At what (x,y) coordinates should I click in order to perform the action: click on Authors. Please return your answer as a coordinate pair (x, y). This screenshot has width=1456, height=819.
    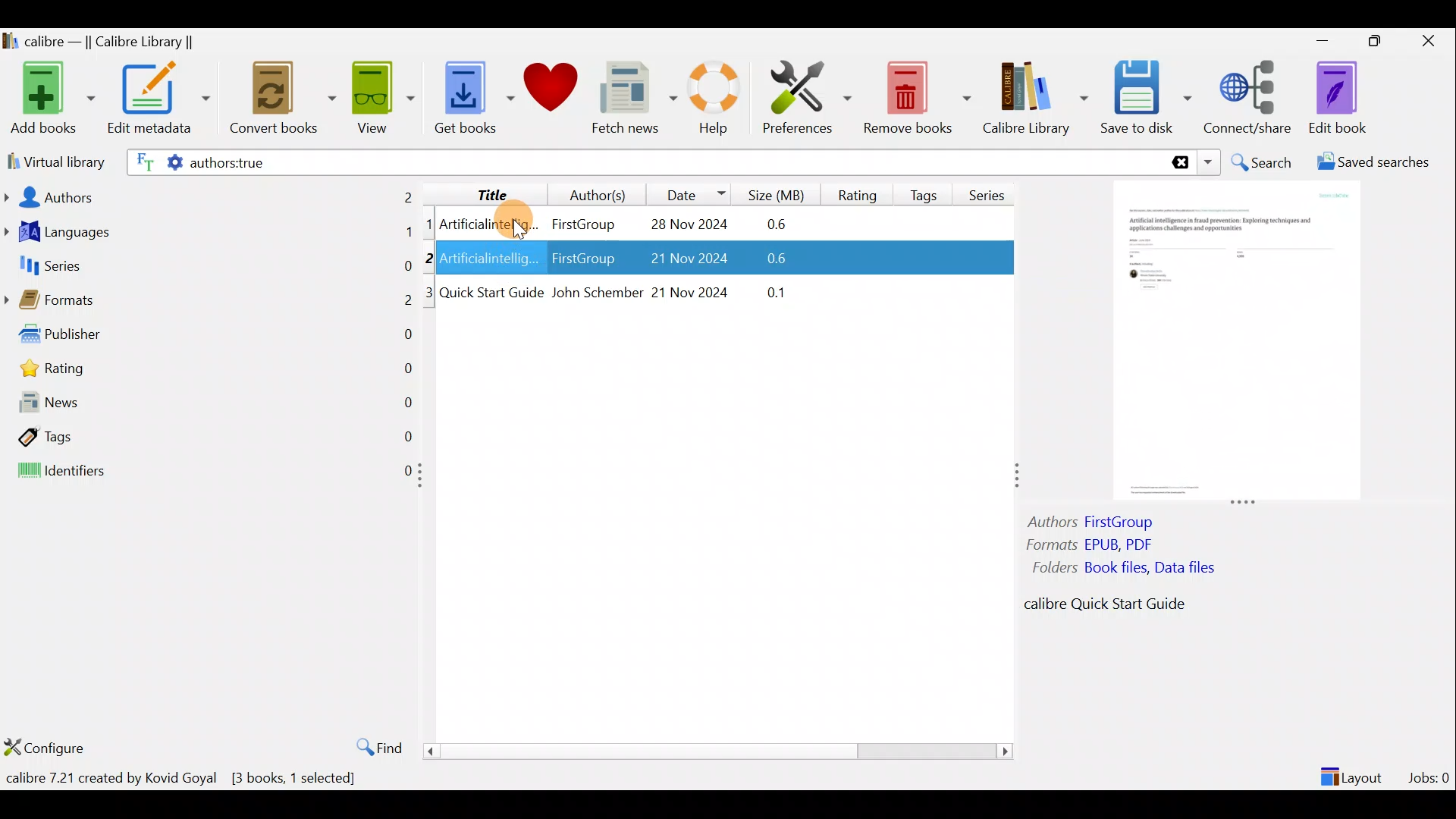
    Looking at the image, I should click on (210, 196).